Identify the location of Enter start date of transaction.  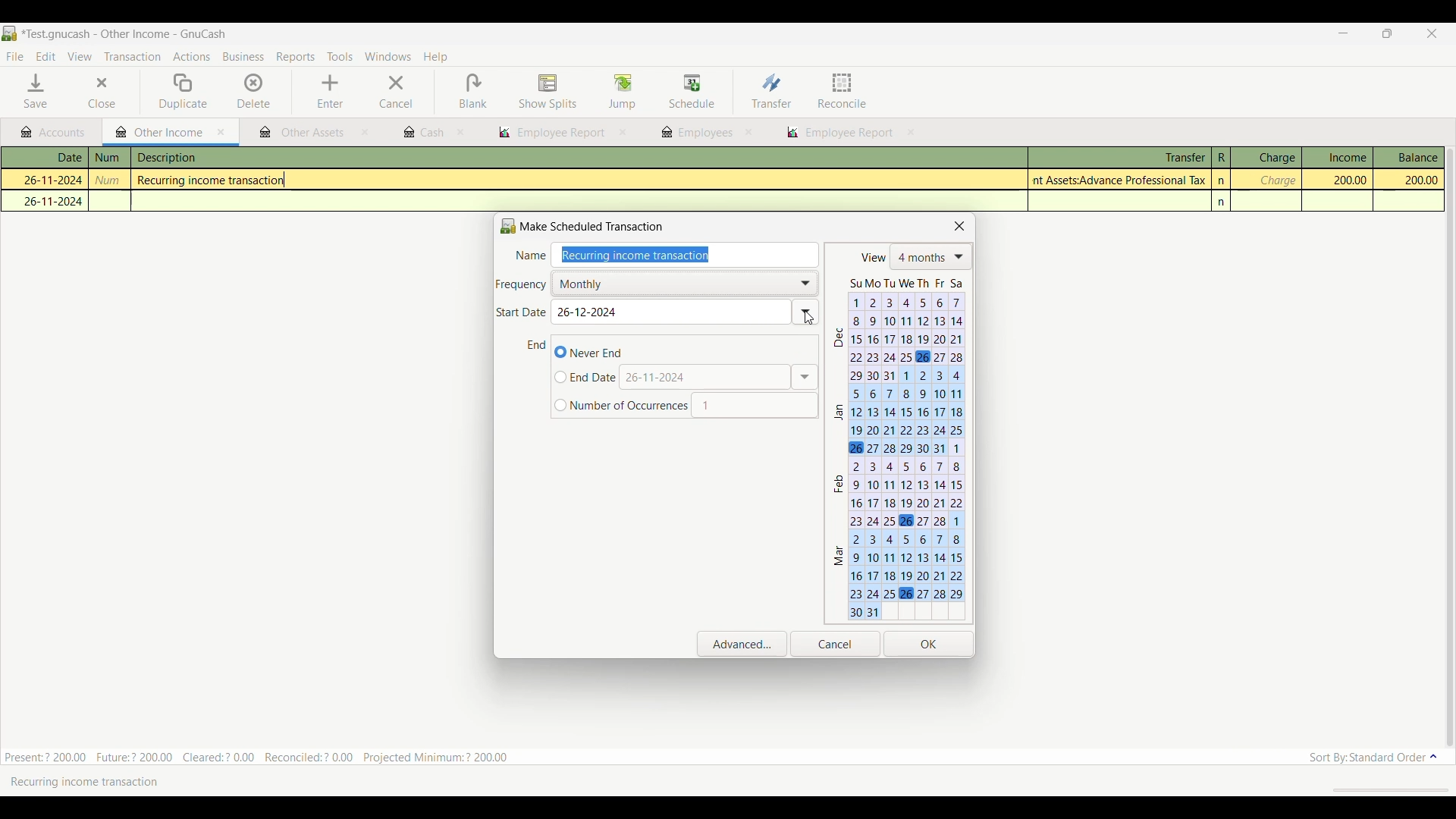
(685, 312).